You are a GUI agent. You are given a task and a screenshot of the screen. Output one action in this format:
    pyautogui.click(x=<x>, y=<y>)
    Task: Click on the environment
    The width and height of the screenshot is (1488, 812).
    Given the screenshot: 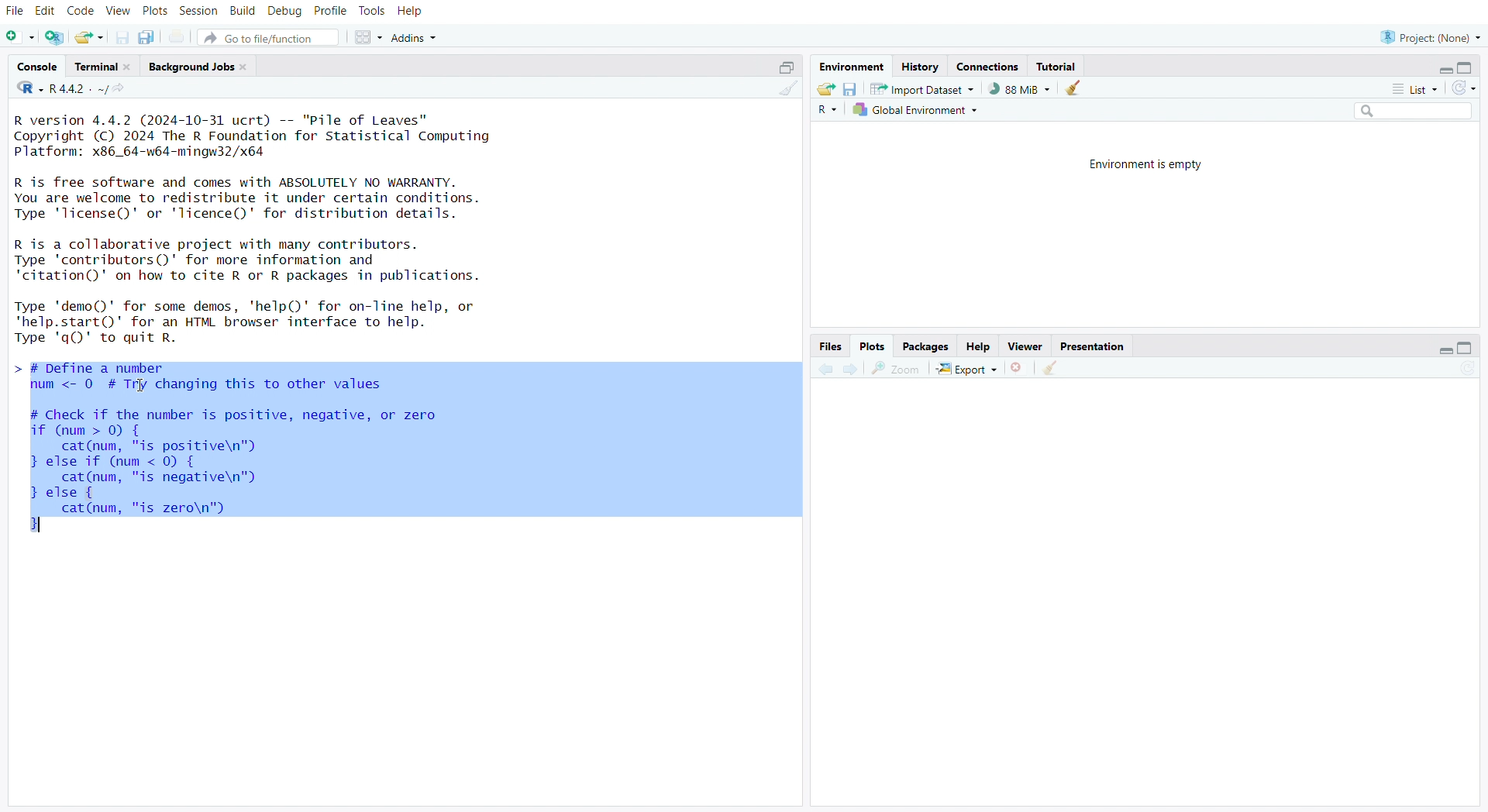 What is the action you would take?
    pyautogui.click(x=854, y=67)
    